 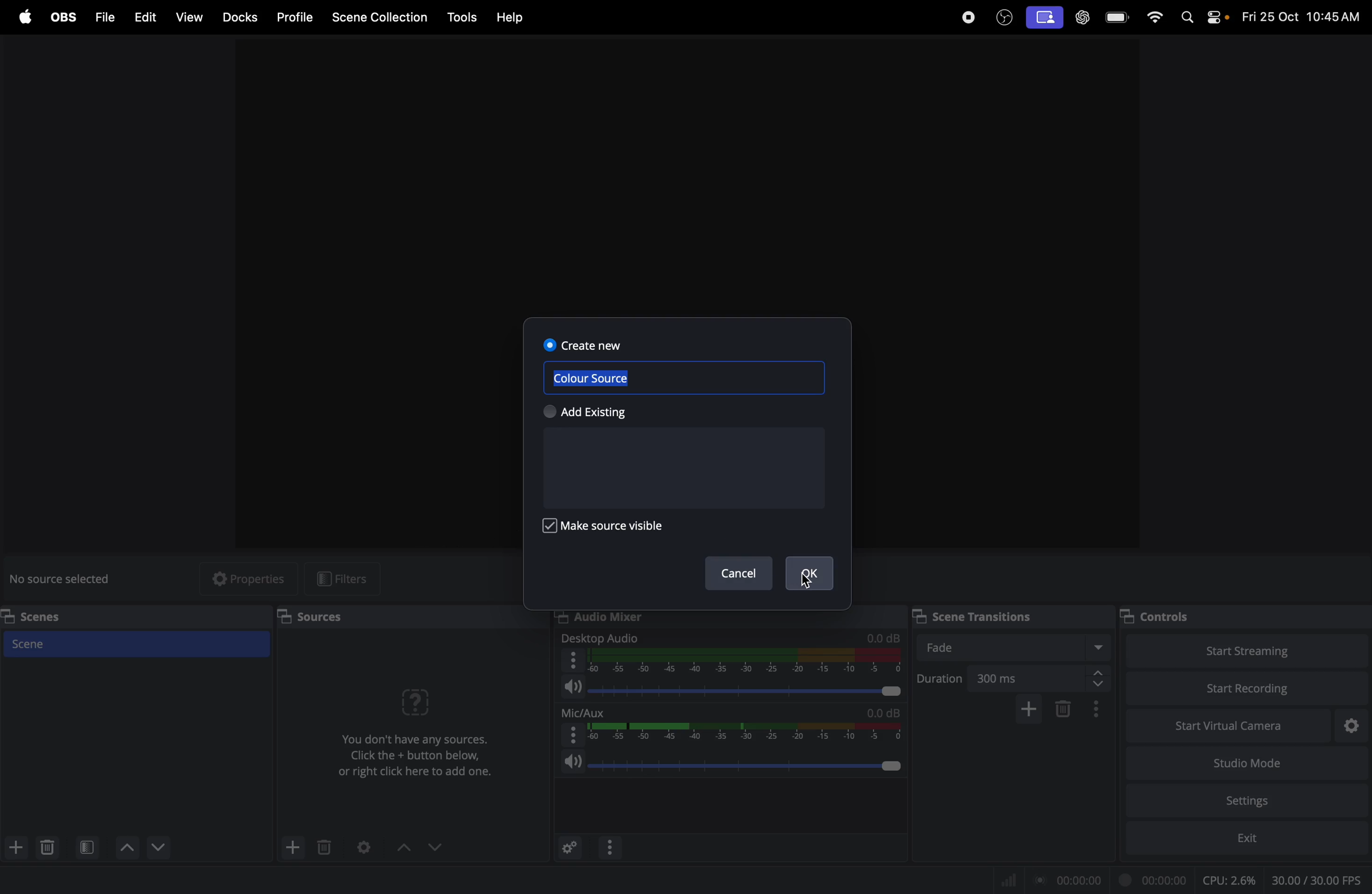 I want to click on Scene collection, so click(x=383, y=16).